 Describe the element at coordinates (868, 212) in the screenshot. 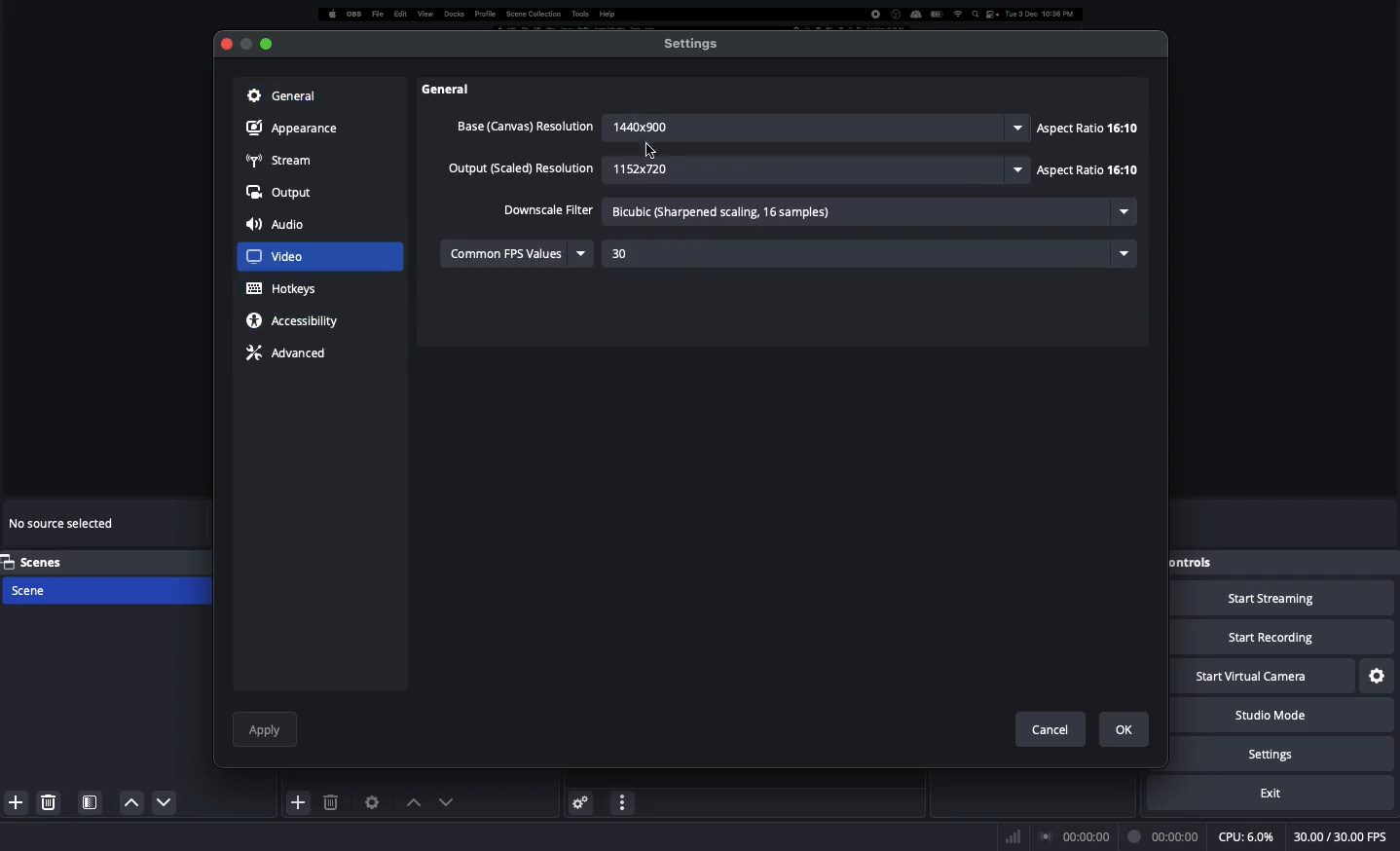

I see `Bicubic` at that location.